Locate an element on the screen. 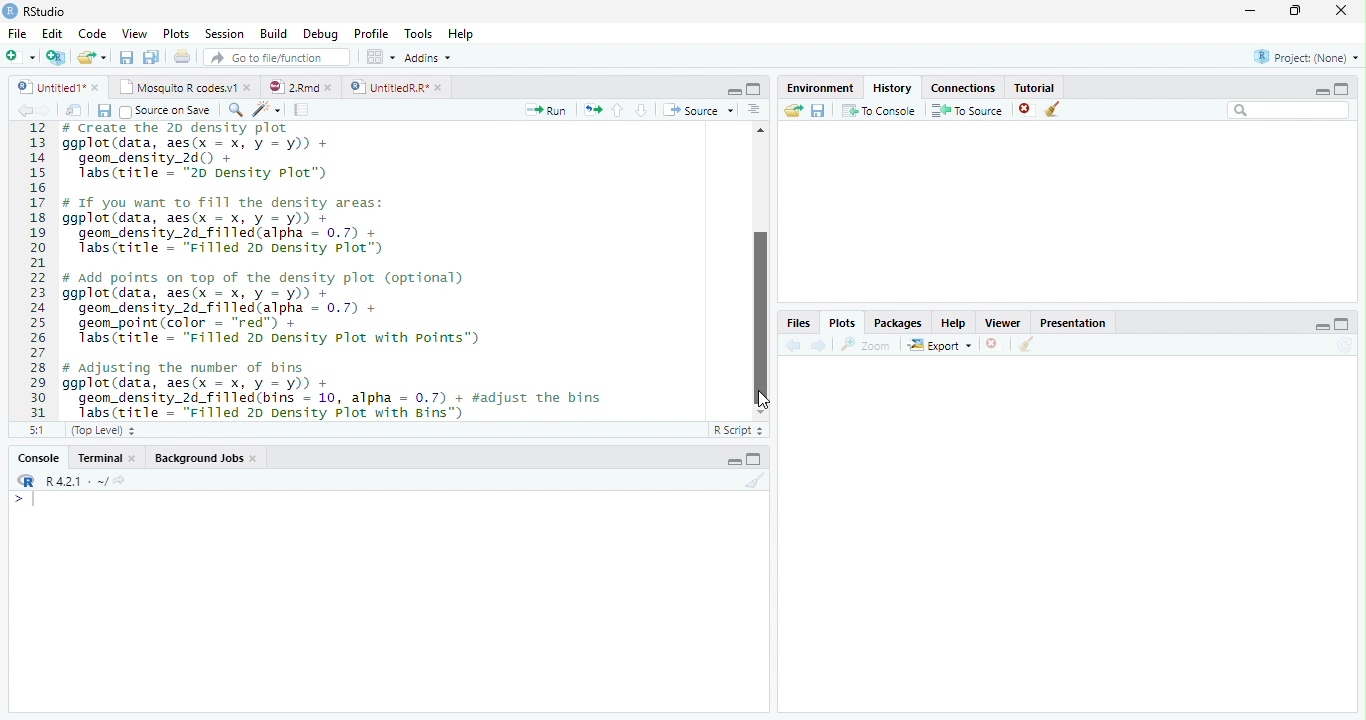  close is located at coordinates (250, 88).